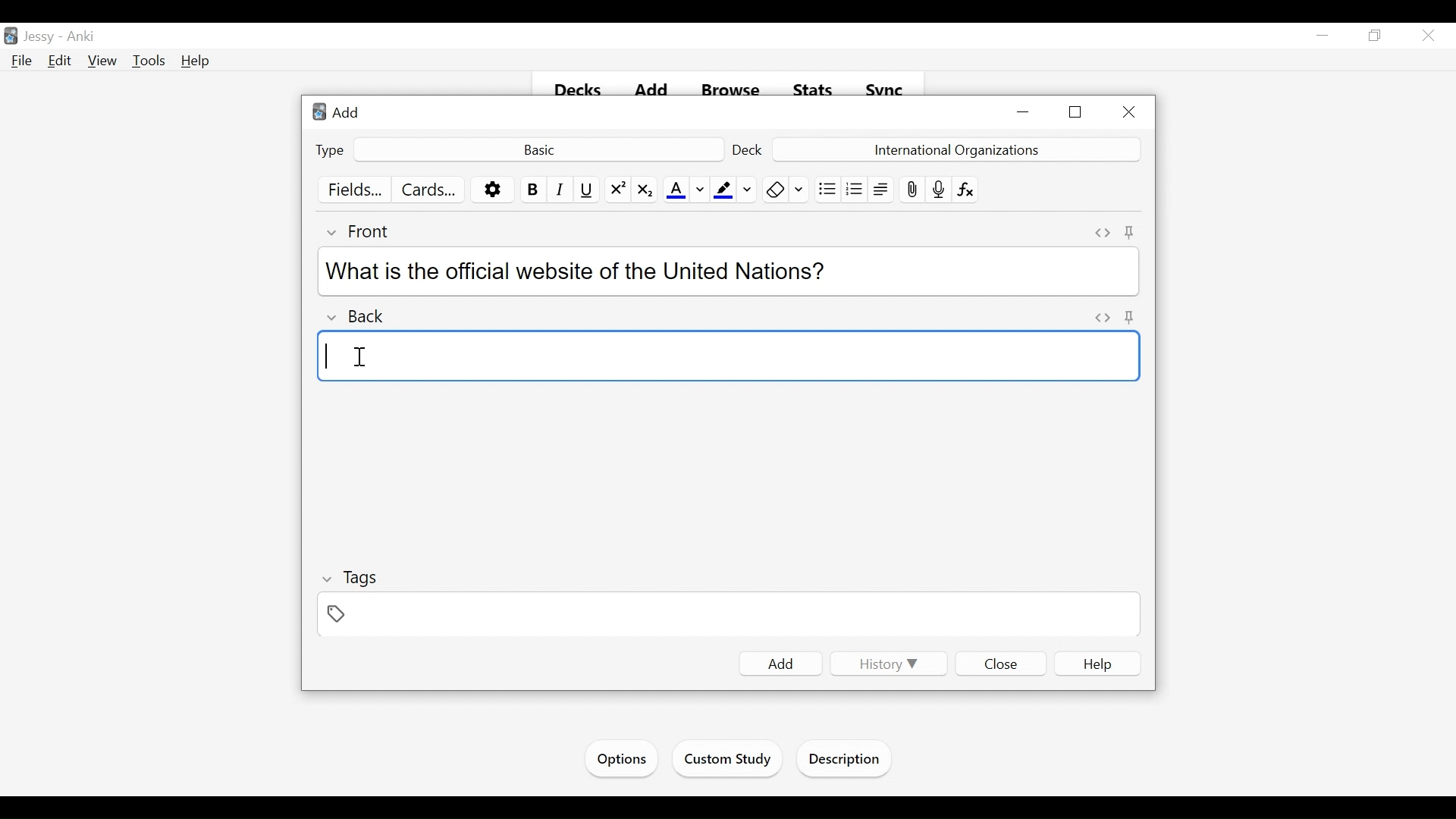 The image size is (1456, 819). I want to click on Ordered list, so click(853, 188).